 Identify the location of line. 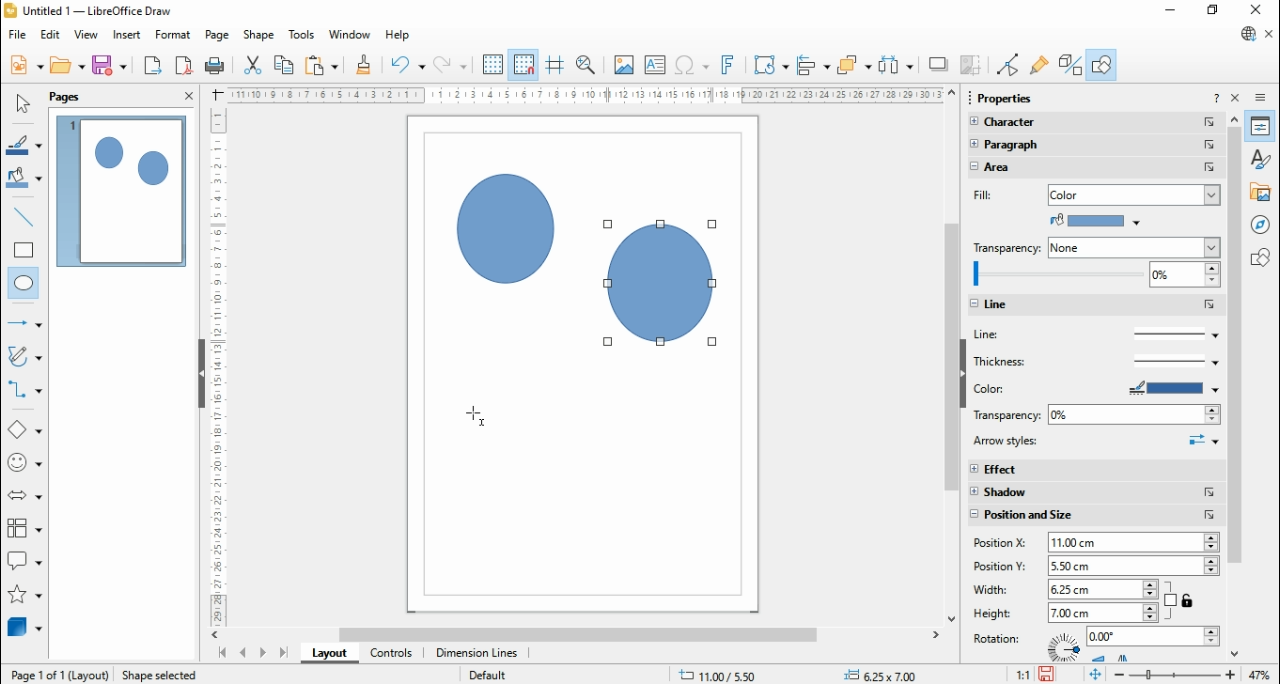
(1096, 305).